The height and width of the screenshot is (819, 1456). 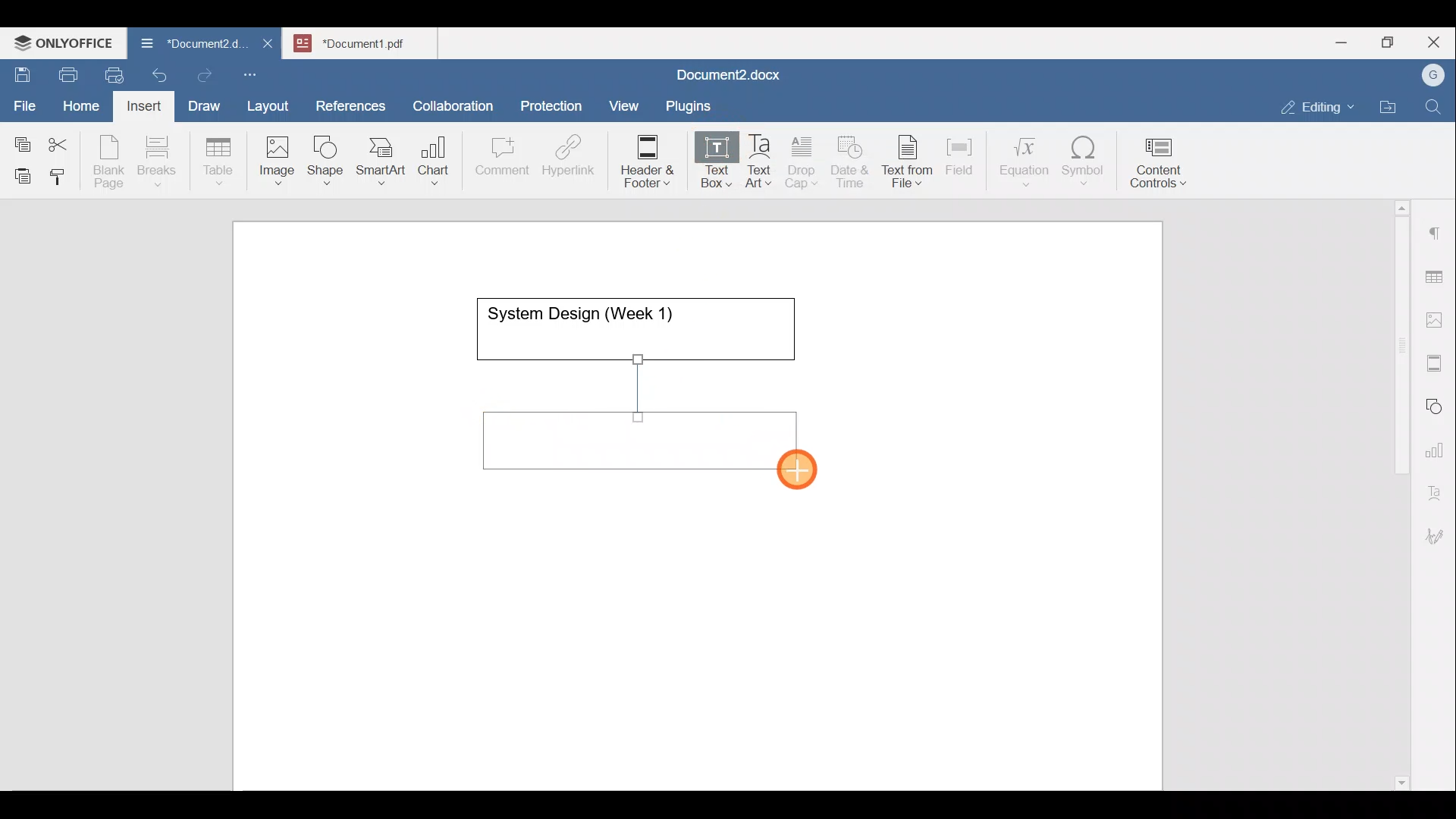 I want to click on Breaks, so click(x=156, y=162).